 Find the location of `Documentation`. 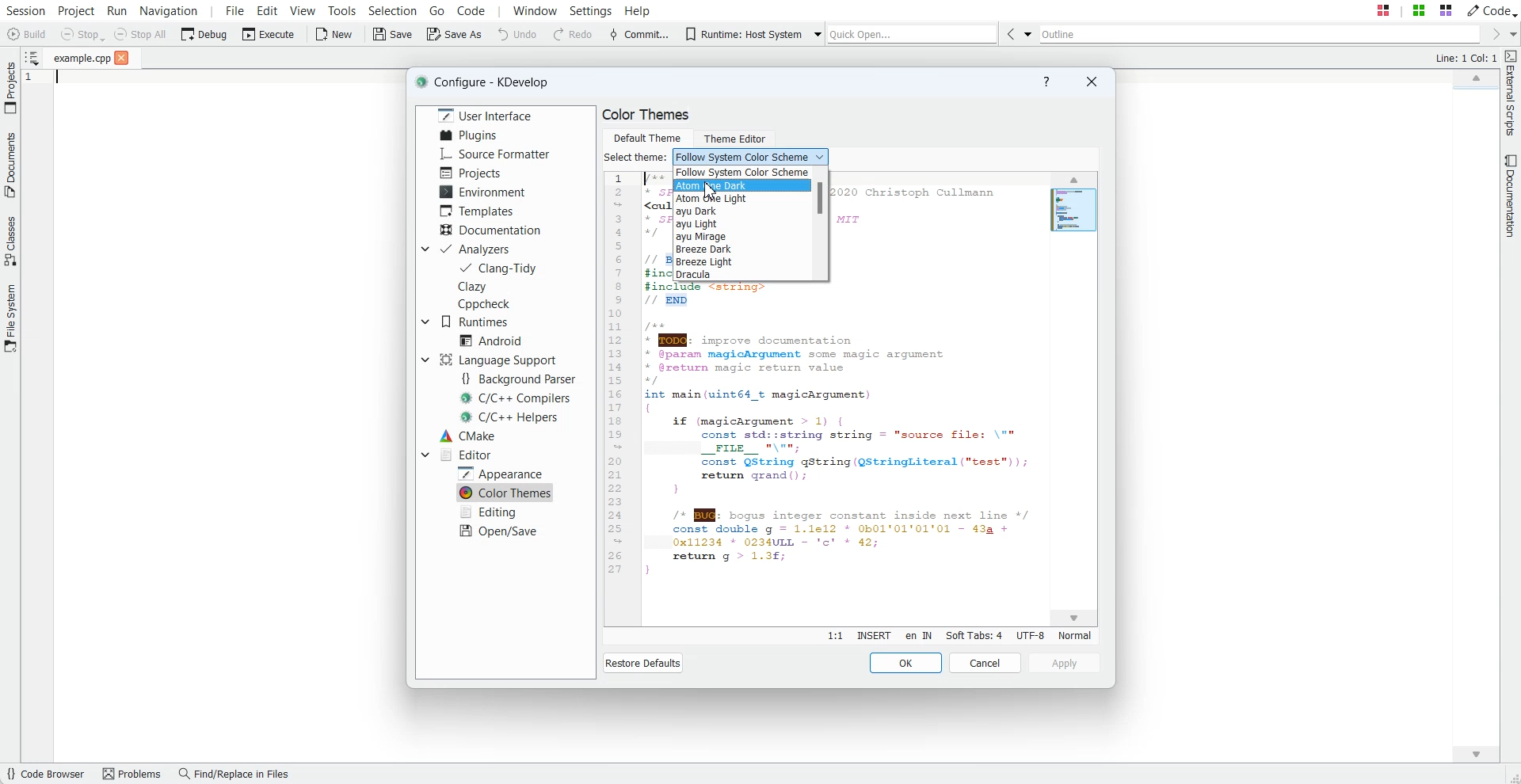

Documentation is located at coordinates (1511, 196).